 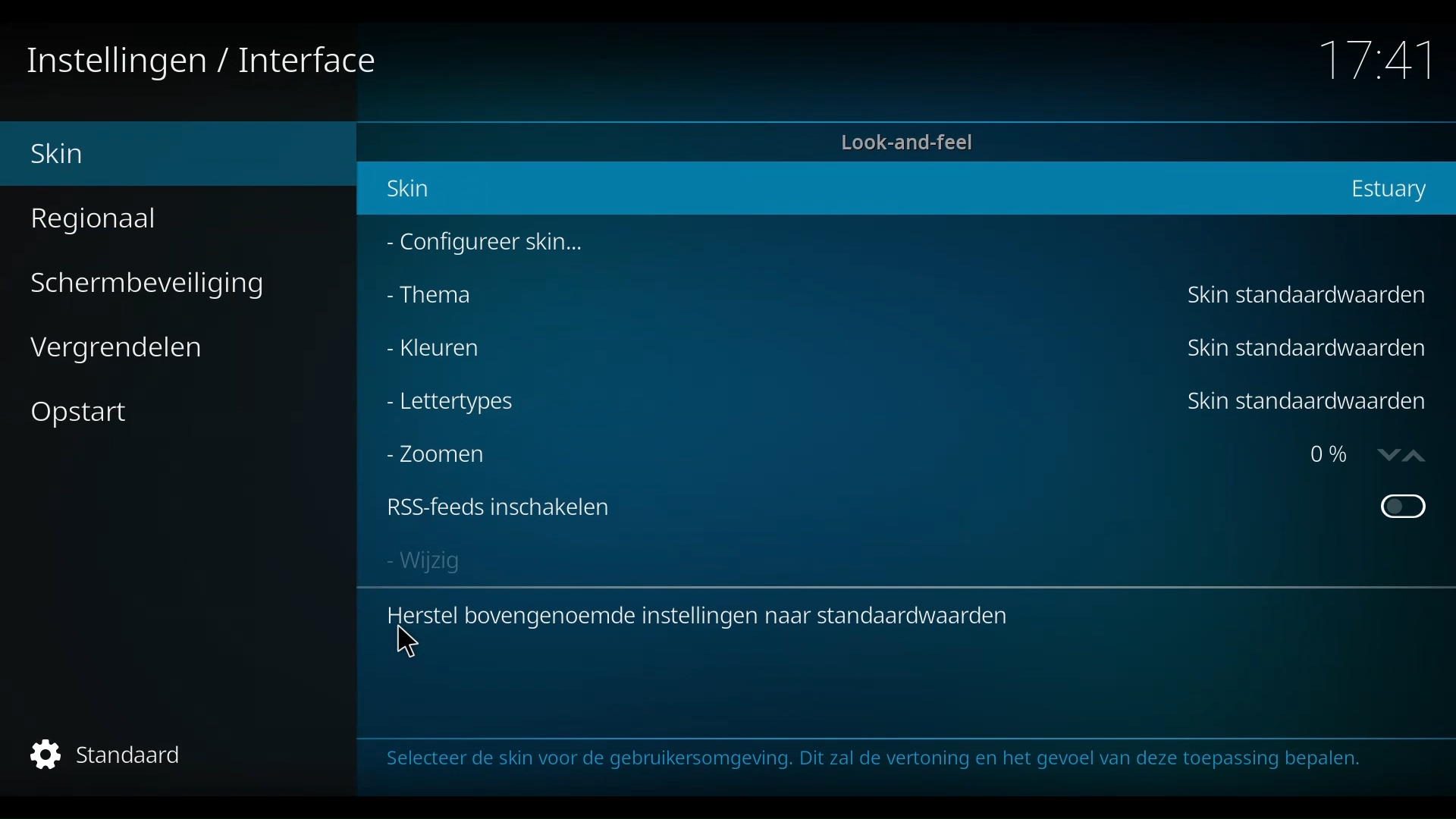 I want to click on Skin, so click(x=438, y=188).